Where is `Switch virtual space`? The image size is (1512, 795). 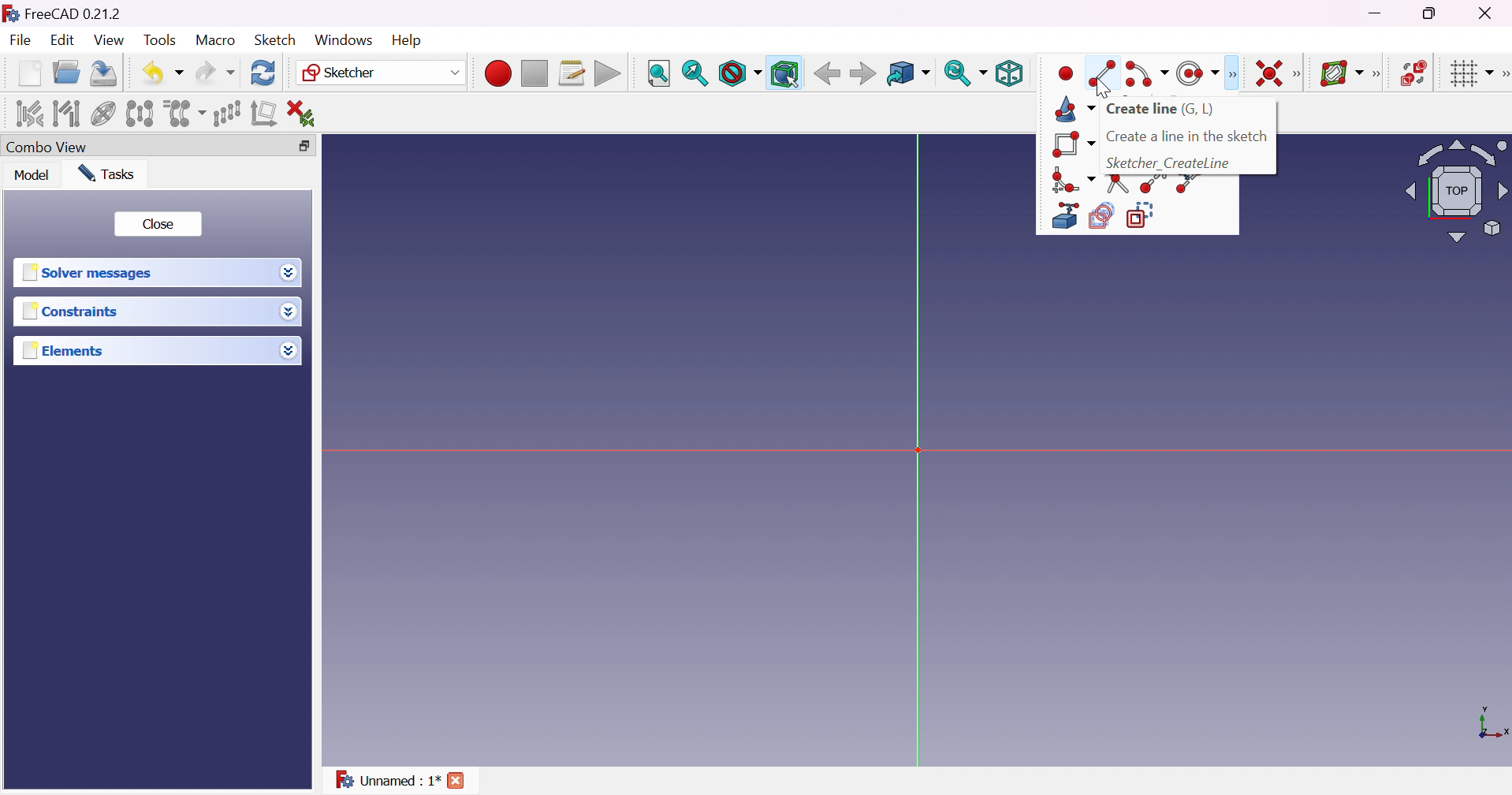 Switch virtual space is located at coordinates (1415, 73).